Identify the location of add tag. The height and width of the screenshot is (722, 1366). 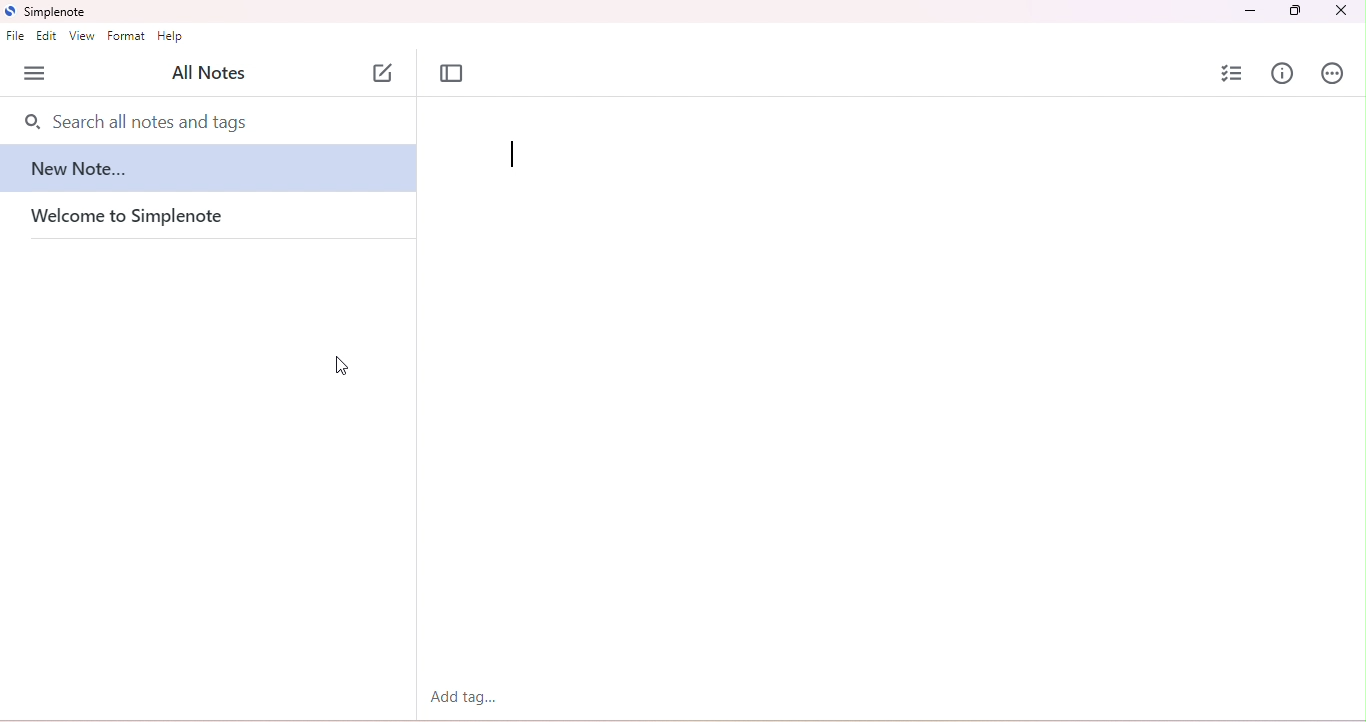
(463, 697).